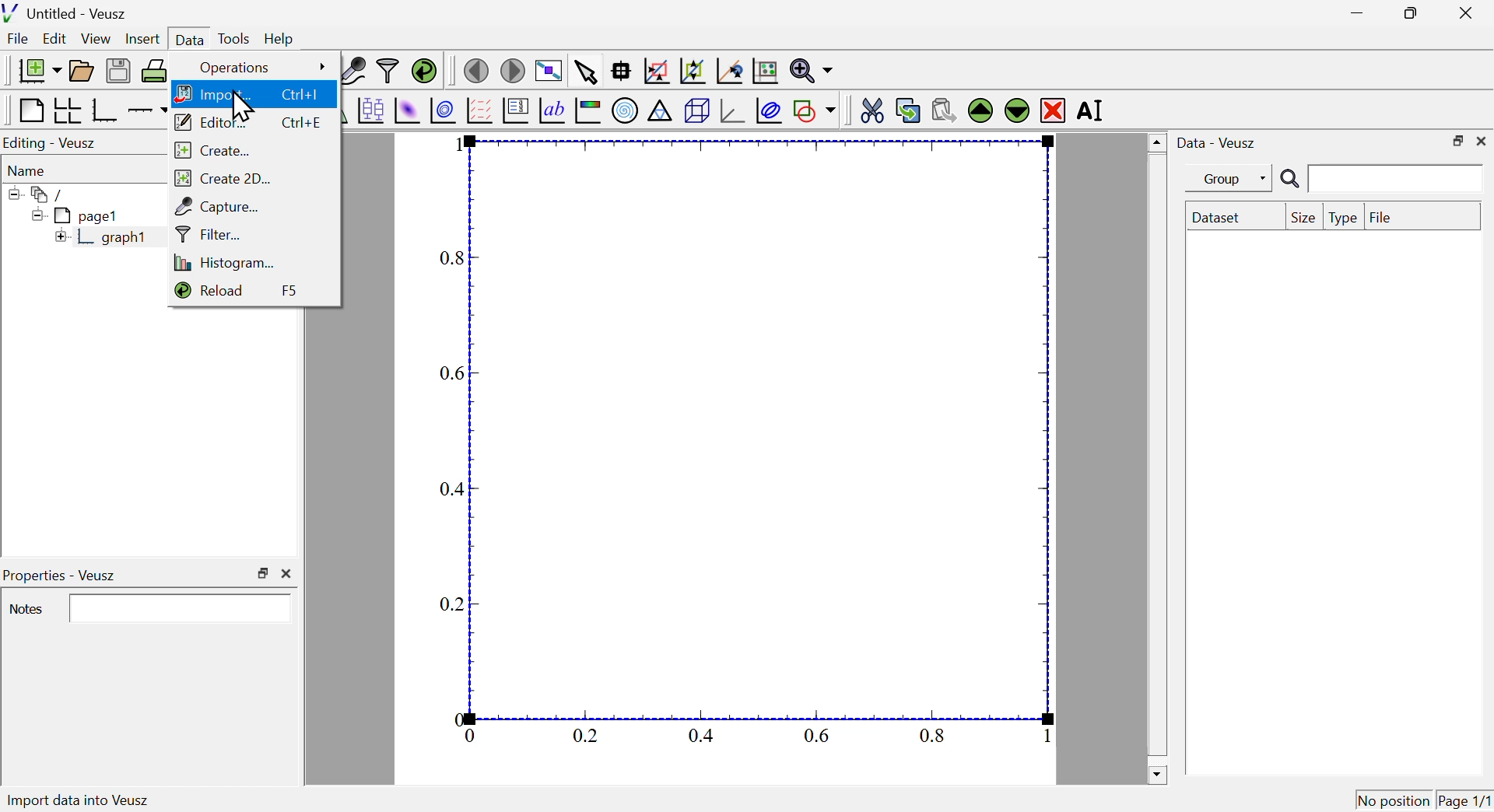  What do you see at coordinates (463, 147) in the screenshot?
I see `1` at bounding box center [463, 147].